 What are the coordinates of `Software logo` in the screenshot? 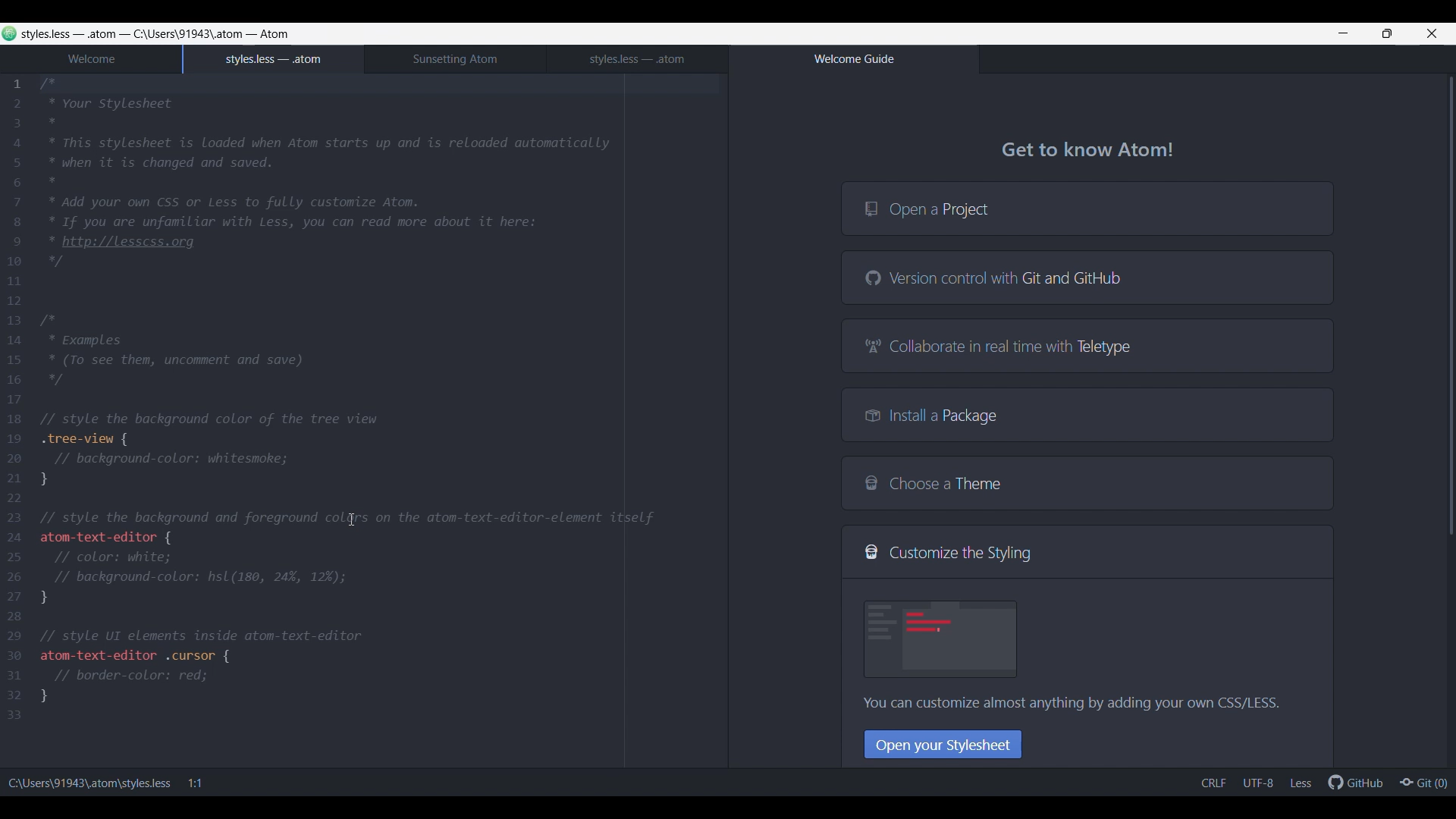 It's located at (10, 33).